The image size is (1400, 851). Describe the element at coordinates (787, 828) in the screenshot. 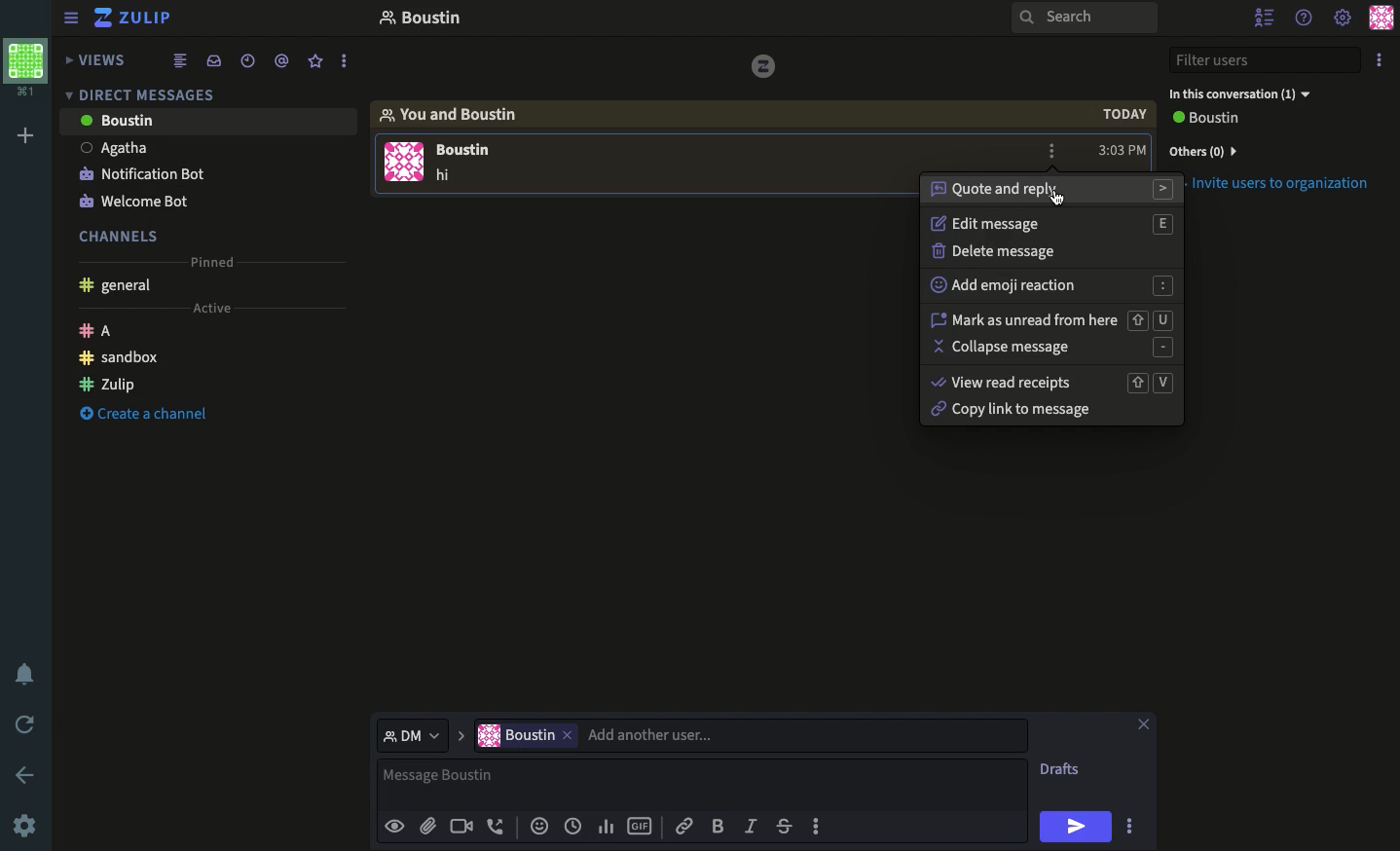

I see `Strikethrough ` at that location.